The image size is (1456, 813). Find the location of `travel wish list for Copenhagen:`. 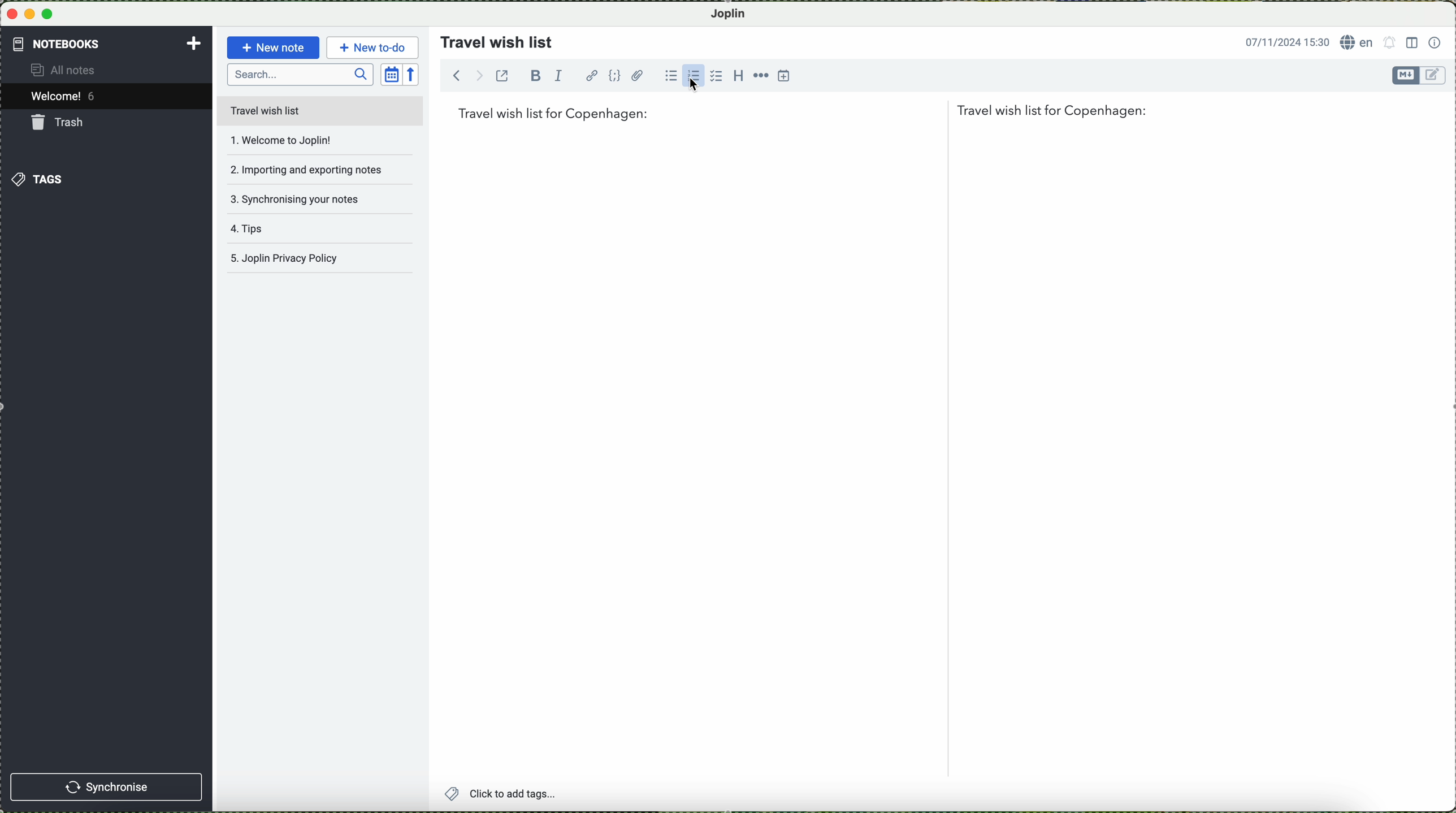

travel wish list for Copenhagen: is located at coordinates (803, 113).